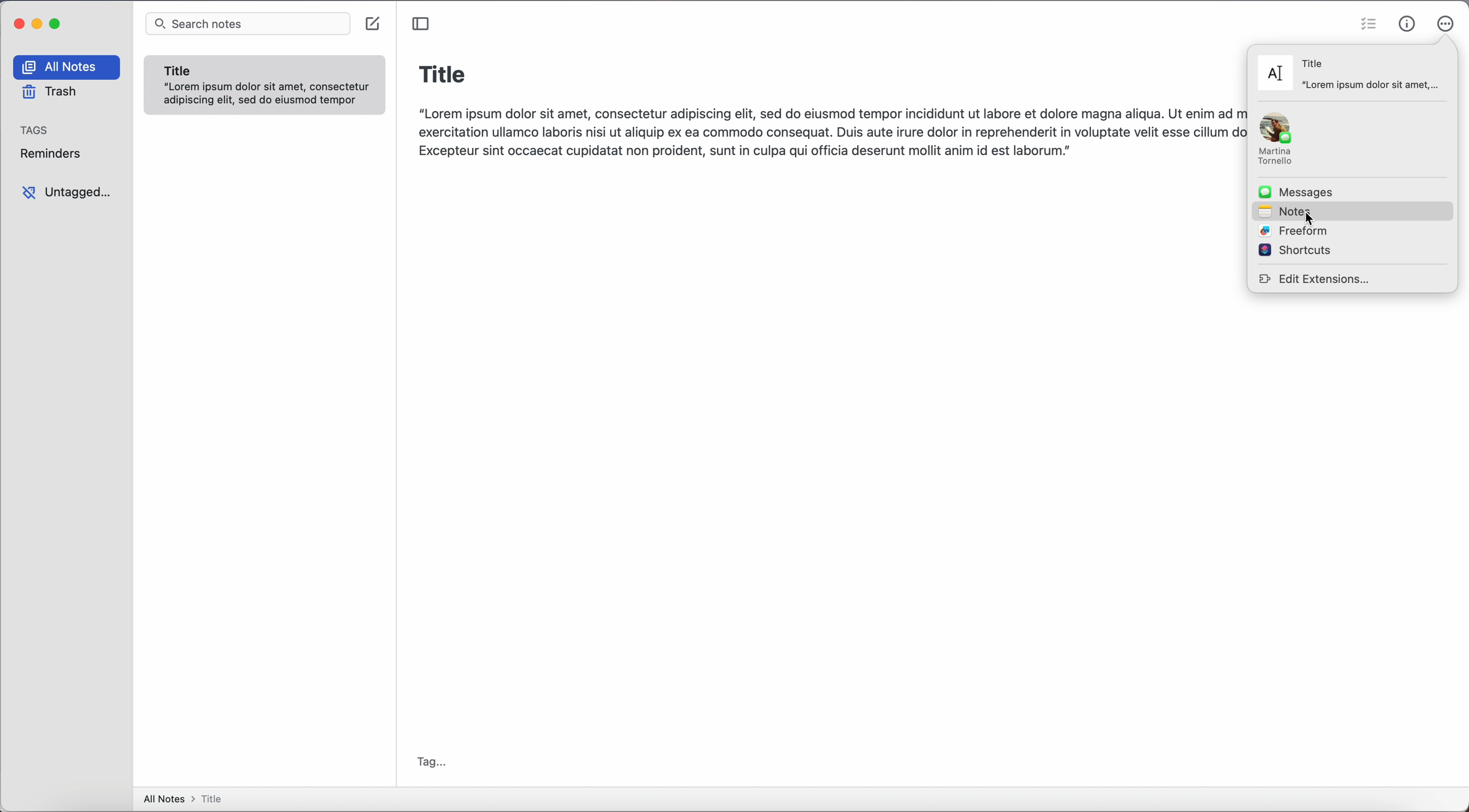  What do you see at coordinates (433, 761) in the screenshot?
I see `tag...` at bounding box center [433, 761].